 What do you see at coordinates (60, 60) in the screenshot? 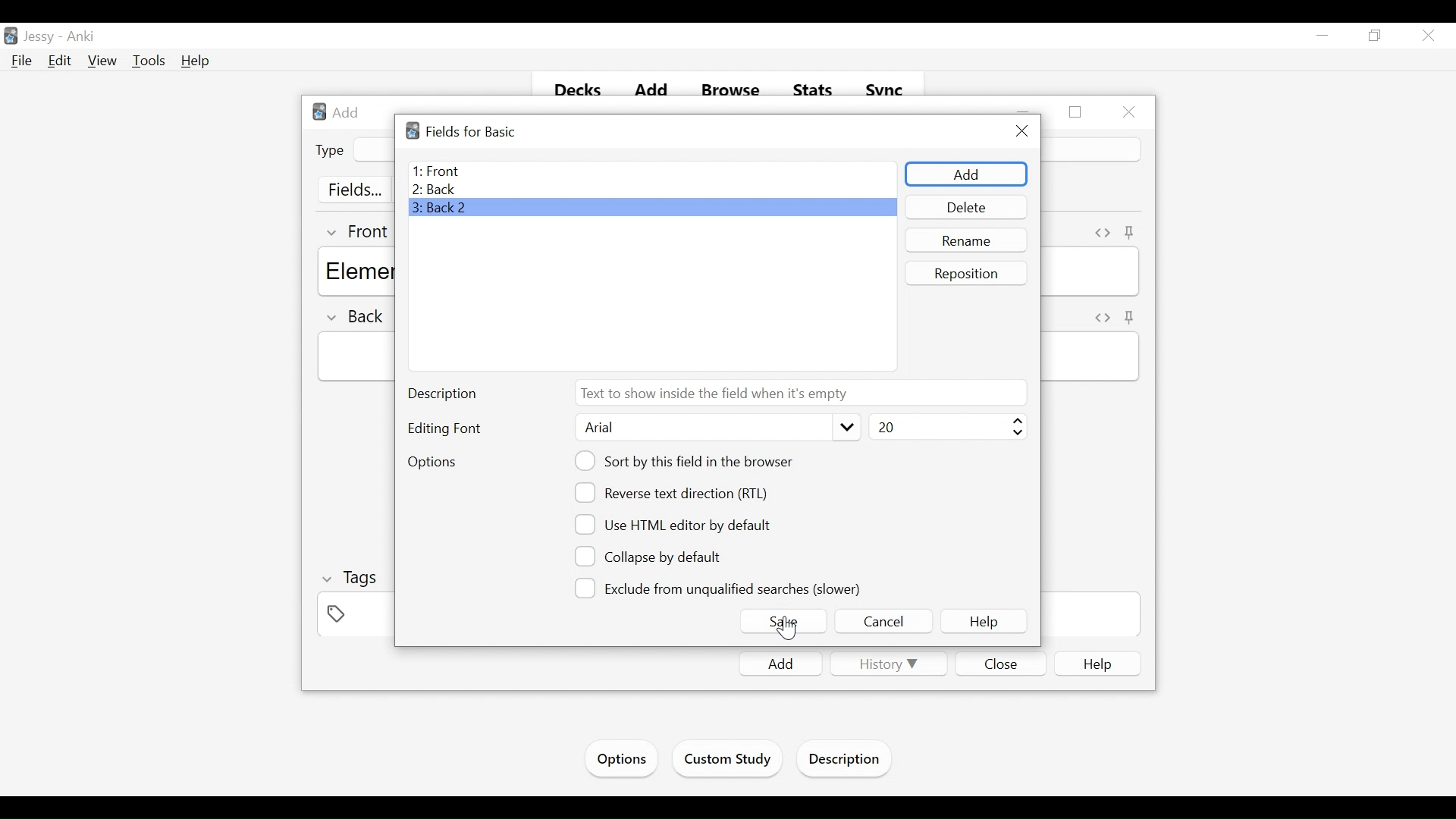
I see `Edit` at bounding box center [60, 60].